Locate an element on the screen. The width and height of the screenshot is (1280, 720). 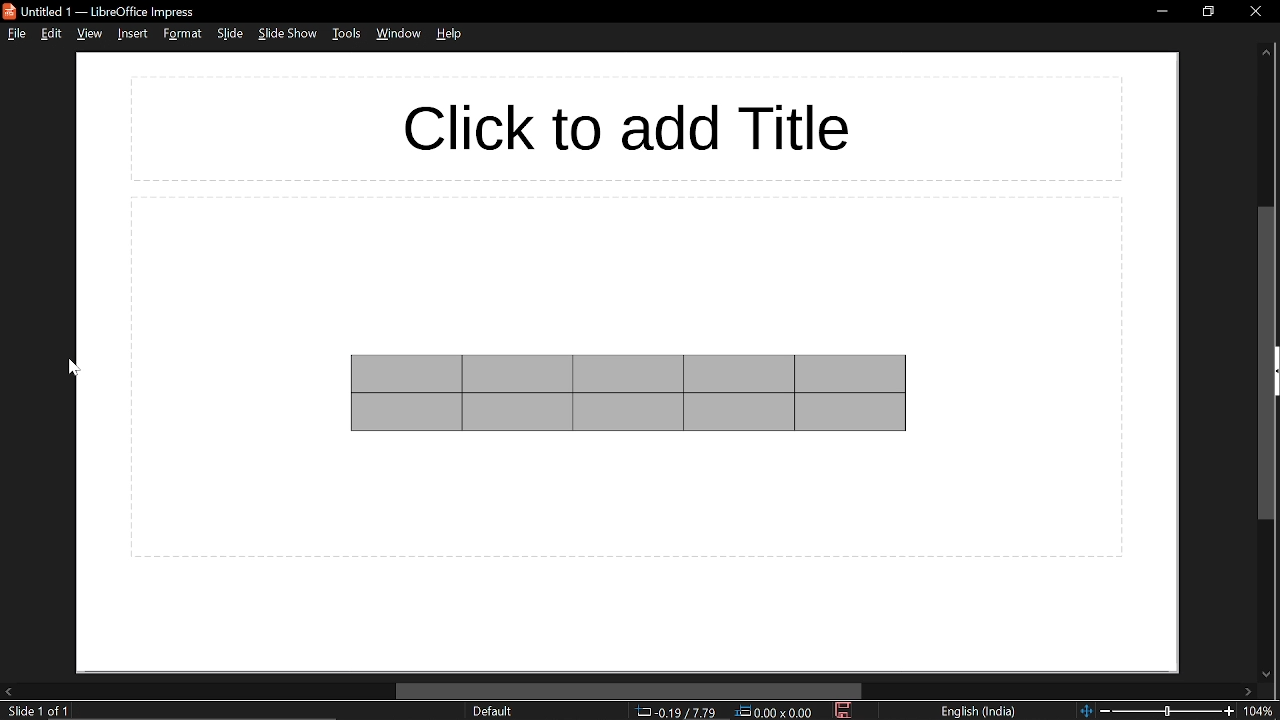
horizontal scrollbar is located at coordinates (630, 689).